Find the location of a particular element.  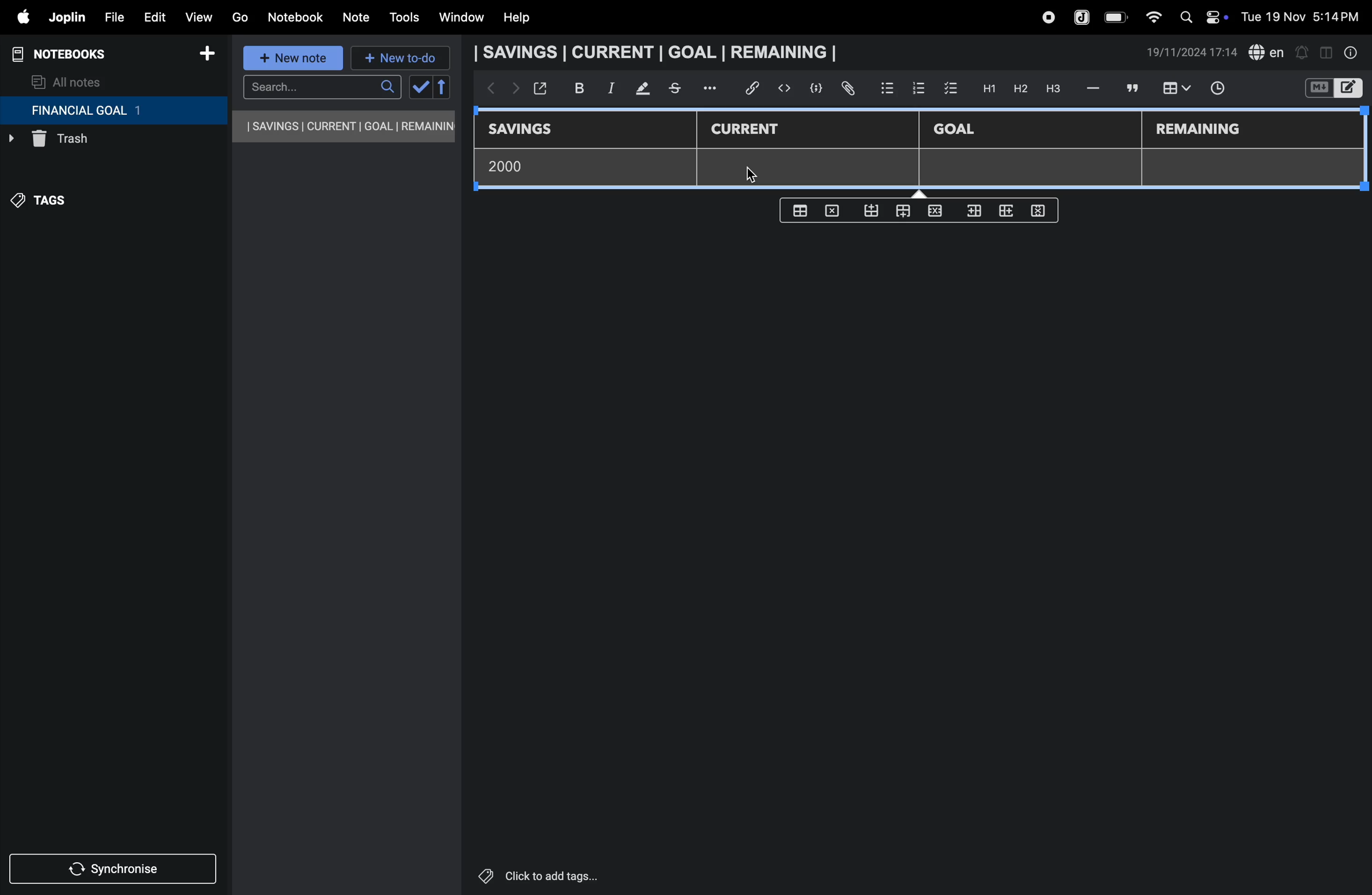

comment is located at coordinates (1130, 88).